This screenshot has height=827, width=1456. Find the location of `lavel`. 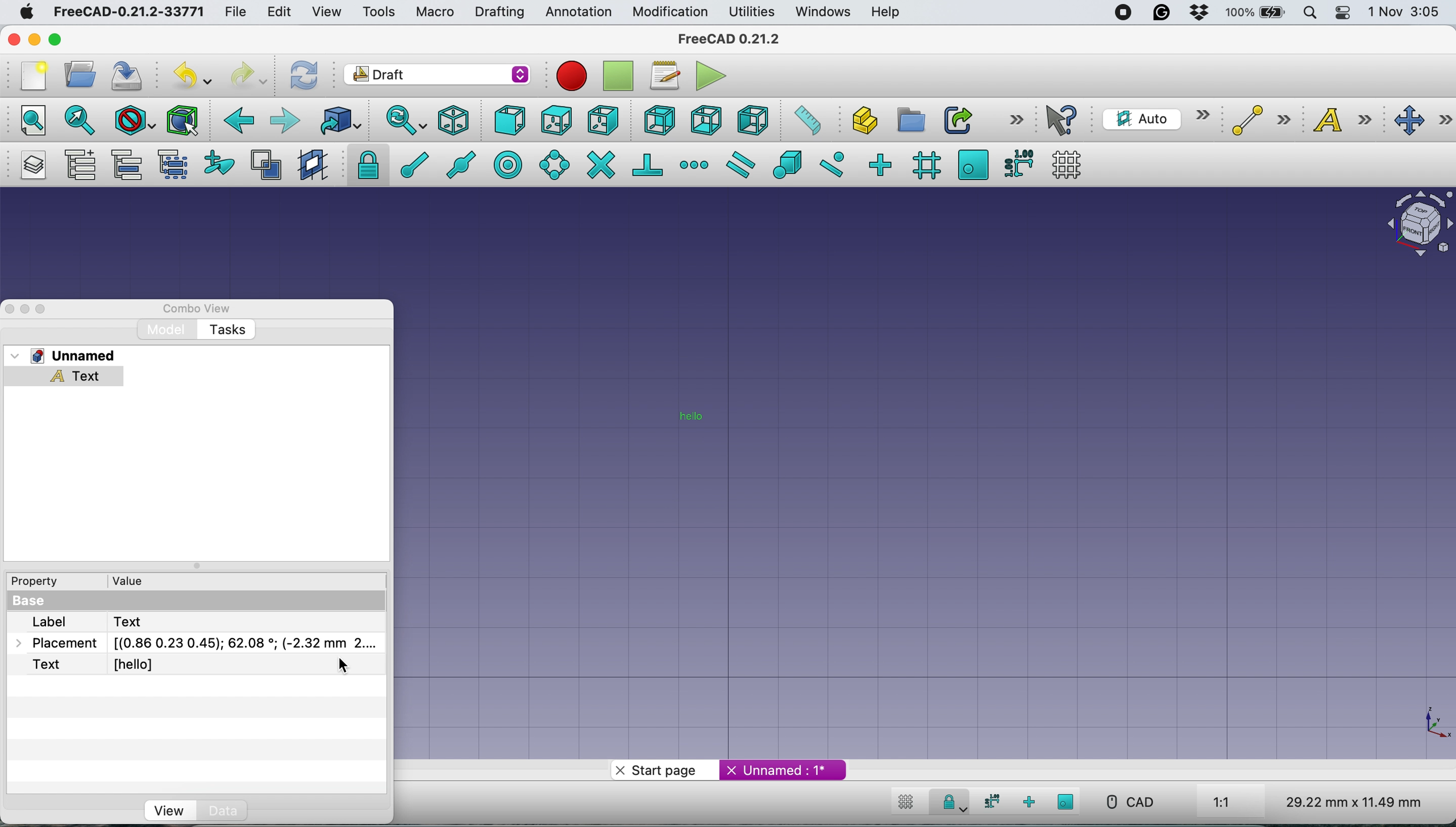

lavel is located at coordinates (101, 621).